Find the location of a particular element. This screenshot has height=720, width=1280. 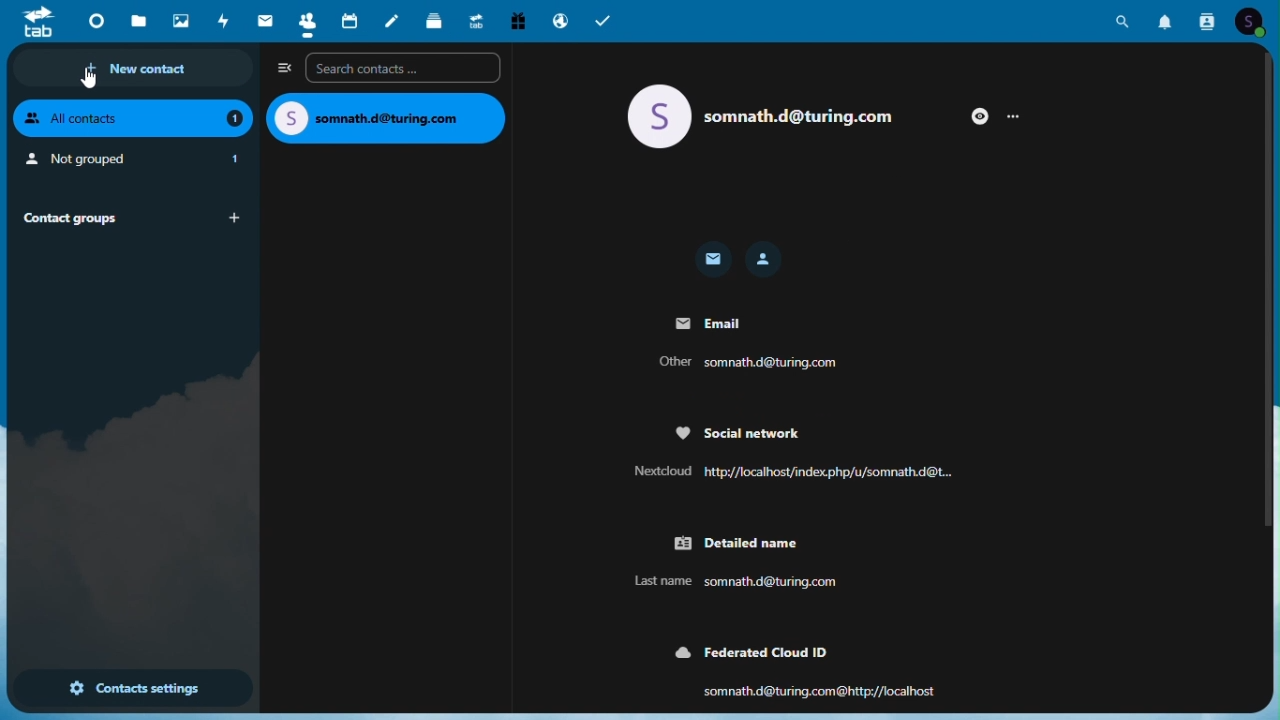

Email details is located at coordinates (786, 345).